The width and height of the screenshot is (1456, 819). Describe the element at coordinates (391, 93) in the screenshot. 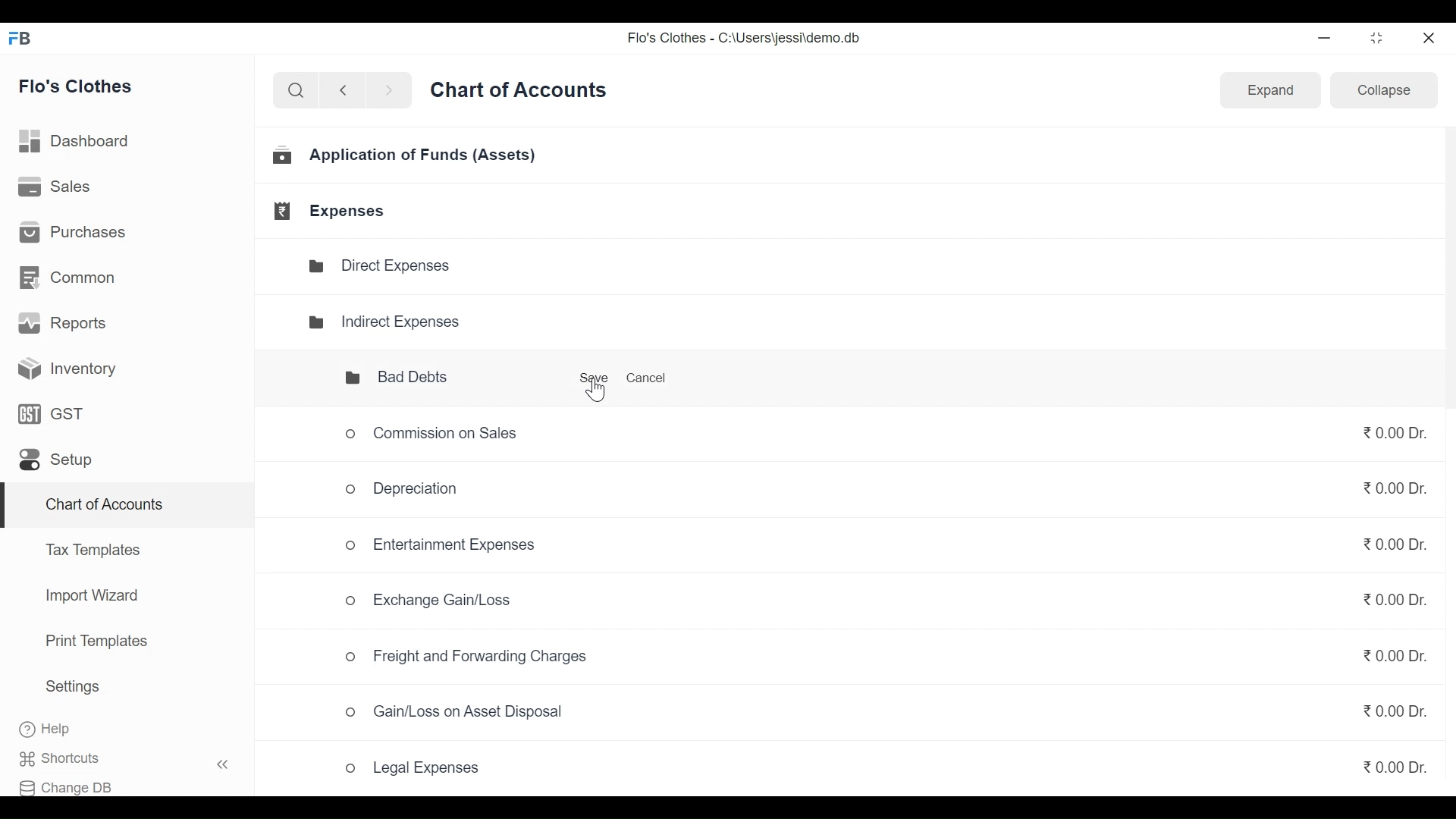

I see `next` at that location.